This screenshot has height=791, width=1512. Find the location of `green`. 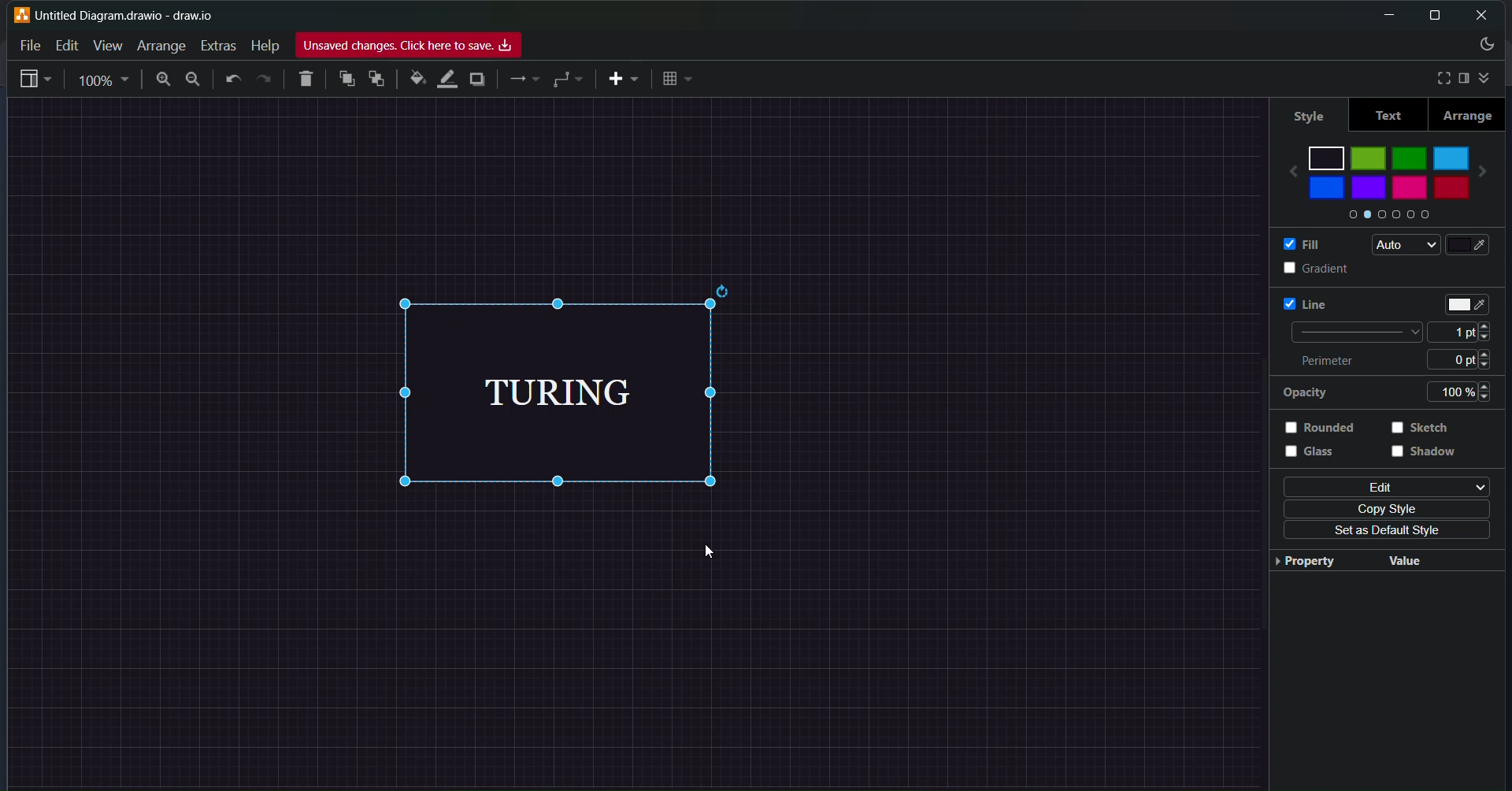

green is located at coordinates (1410, 155).